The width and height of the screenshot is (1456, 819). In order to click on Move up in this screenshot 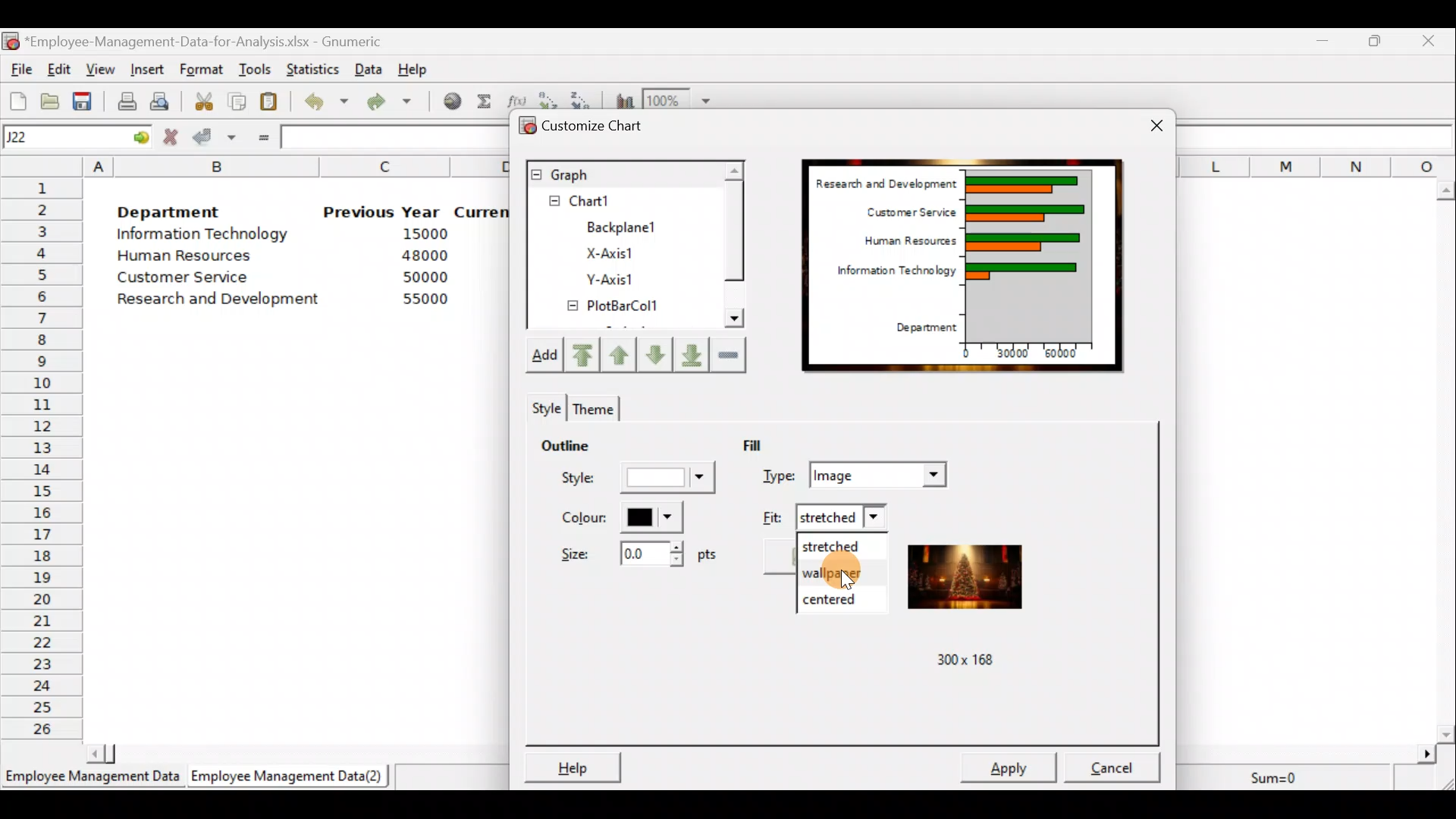, I will do `click(652, 353)`.